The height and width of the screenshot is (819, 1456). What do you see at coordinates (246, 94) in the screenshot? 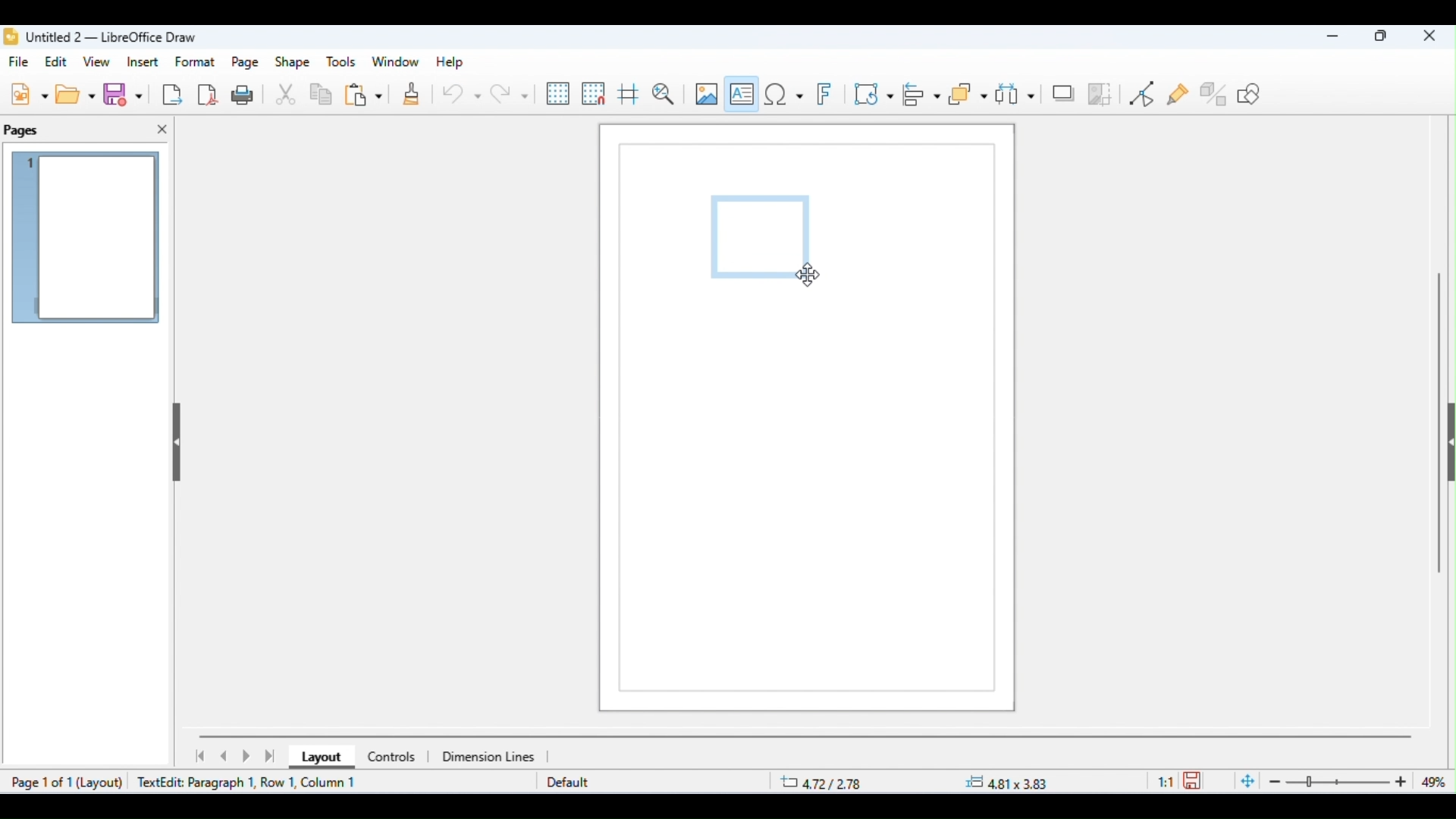
I see `print` at bounding box center [246, 94].